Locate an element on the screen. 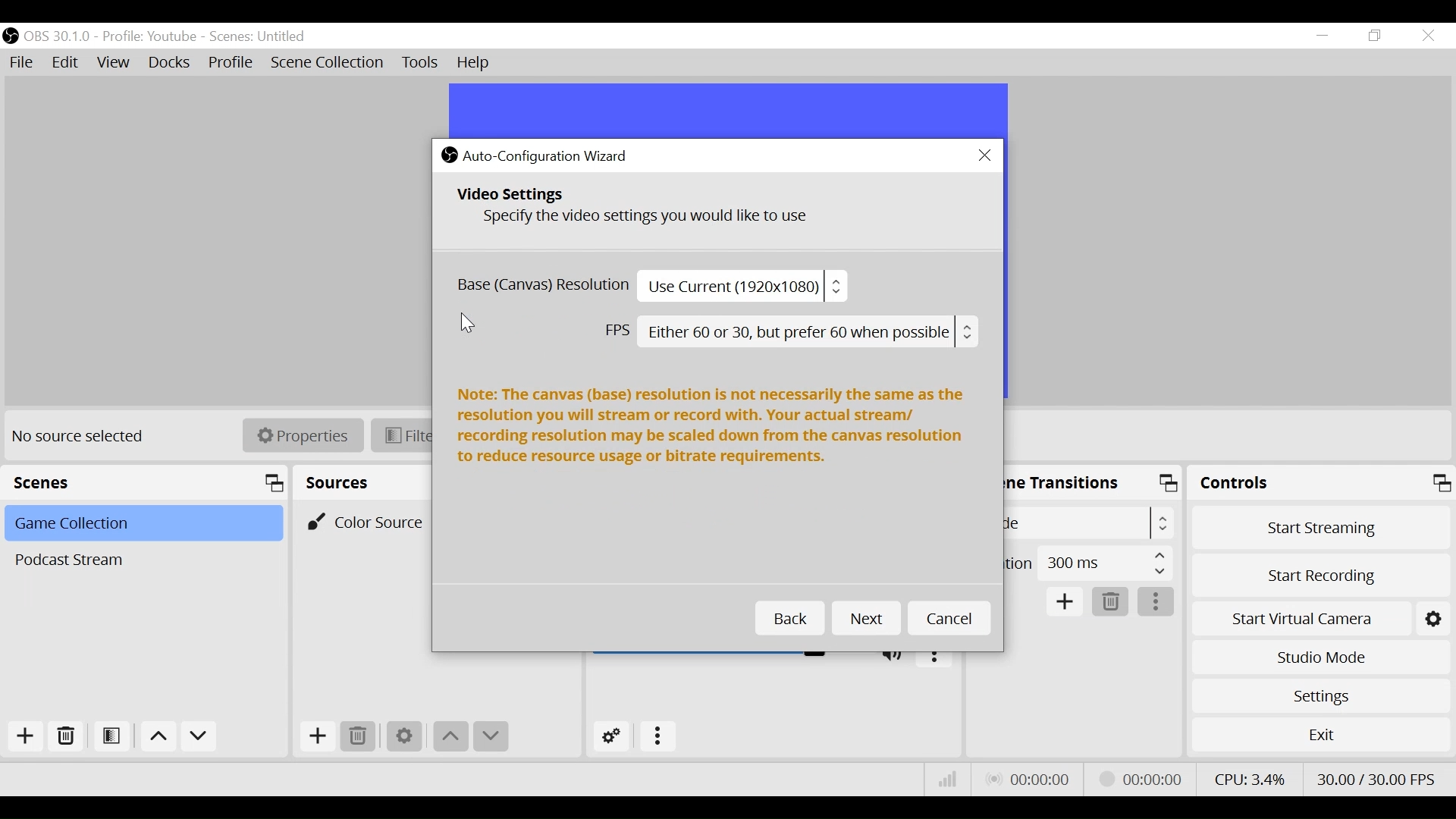 This screenshot has width=1456, height=819. Docks is located at coordinates (171, 62).